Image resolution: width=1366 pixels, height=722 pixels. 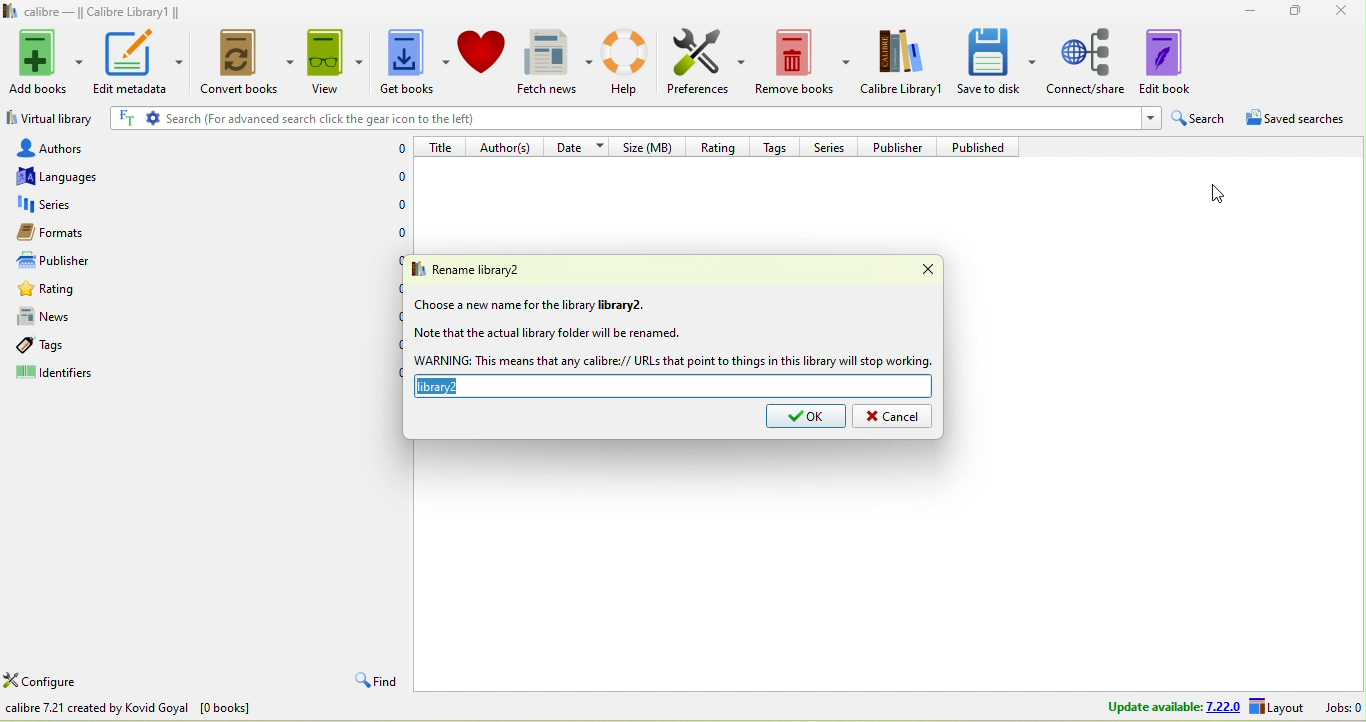 What do you see at coordinates (1343, 707) in the screenshot?
I see `jobs 0` at bounding box center [1343, 707].